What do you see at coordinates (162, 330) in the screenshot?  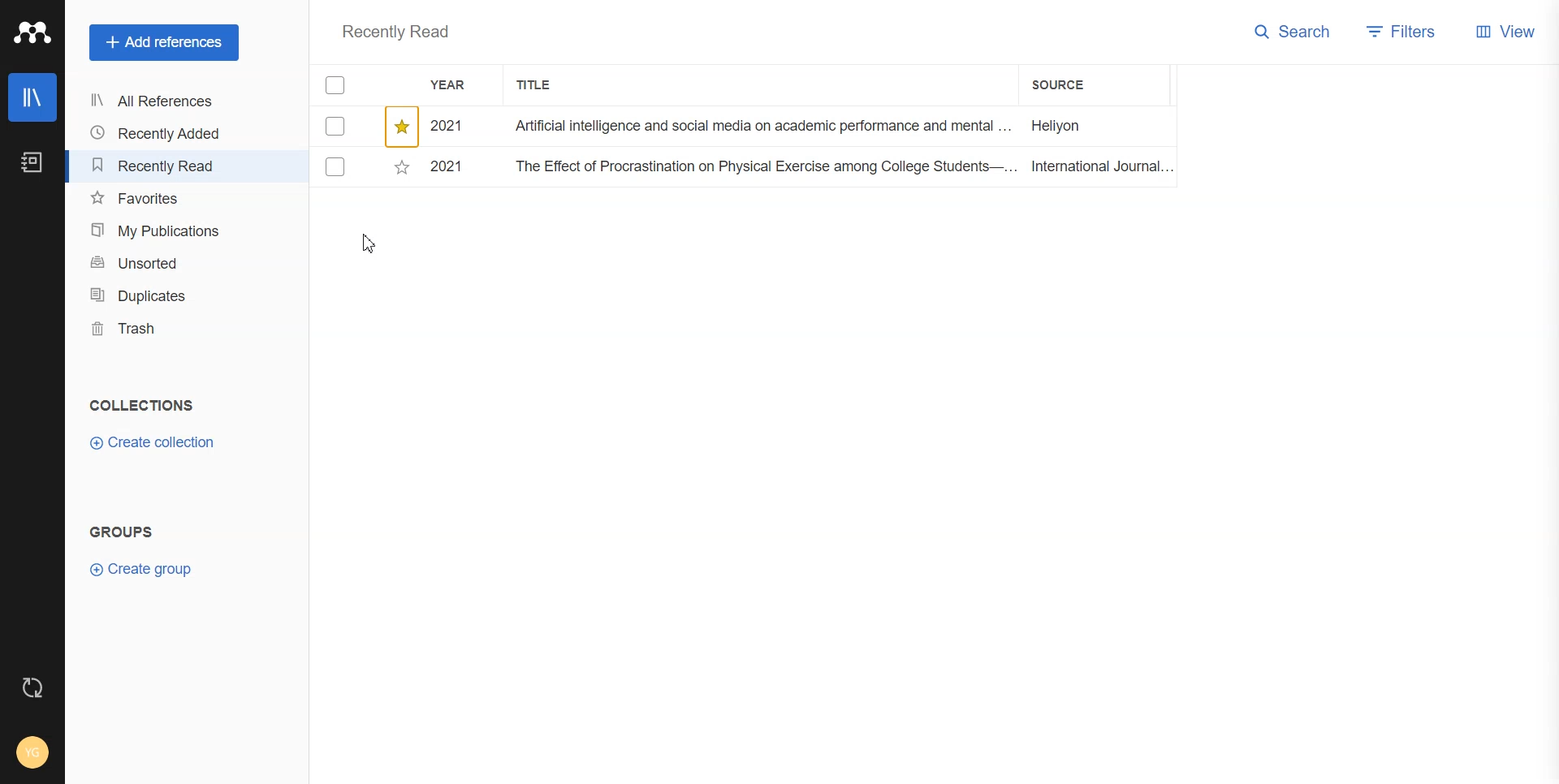 I see `Trash` at bounding box center [162, 330].